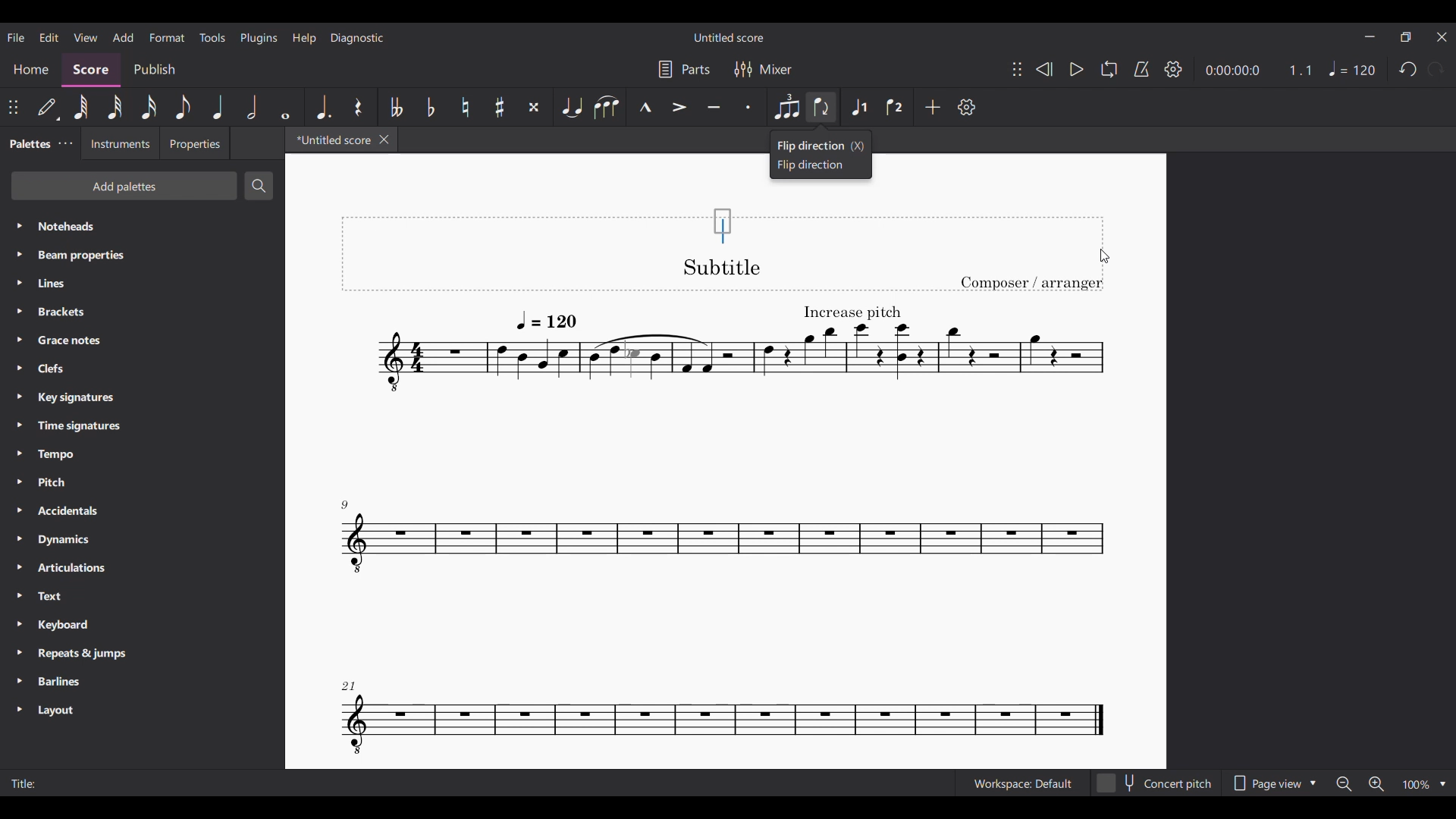 The width and height of the screenshot is (1456, 819). Describe the element at coordinates (13, 107) in the screenshot. I see `Change position ` at that location.